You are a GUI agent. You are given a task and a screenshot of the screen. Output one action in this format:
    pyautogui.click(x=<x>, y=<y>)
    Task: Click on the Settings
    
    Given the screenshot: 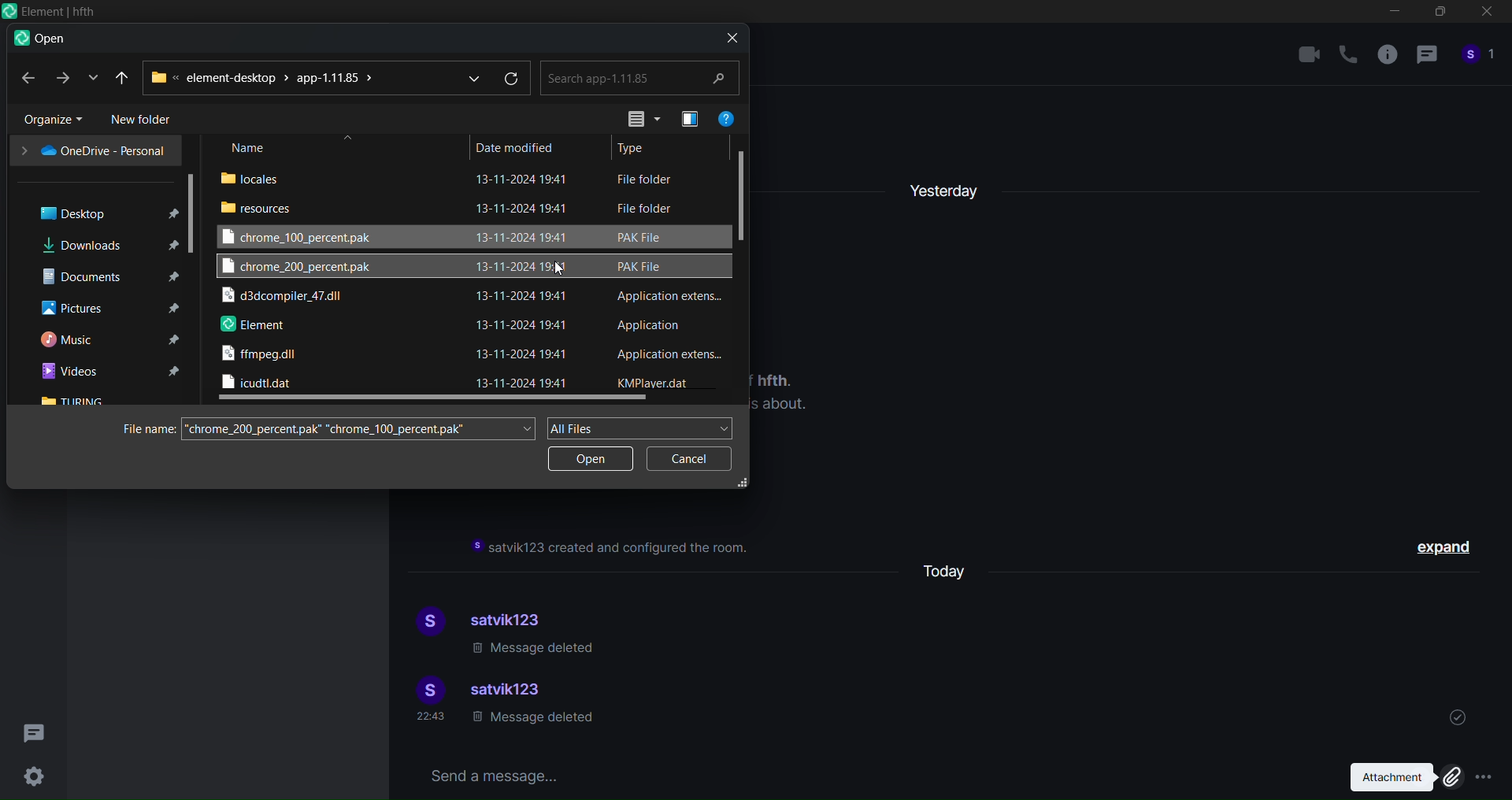 What is the action you would take?
    pyautogui.click(x=29, y=780)
    